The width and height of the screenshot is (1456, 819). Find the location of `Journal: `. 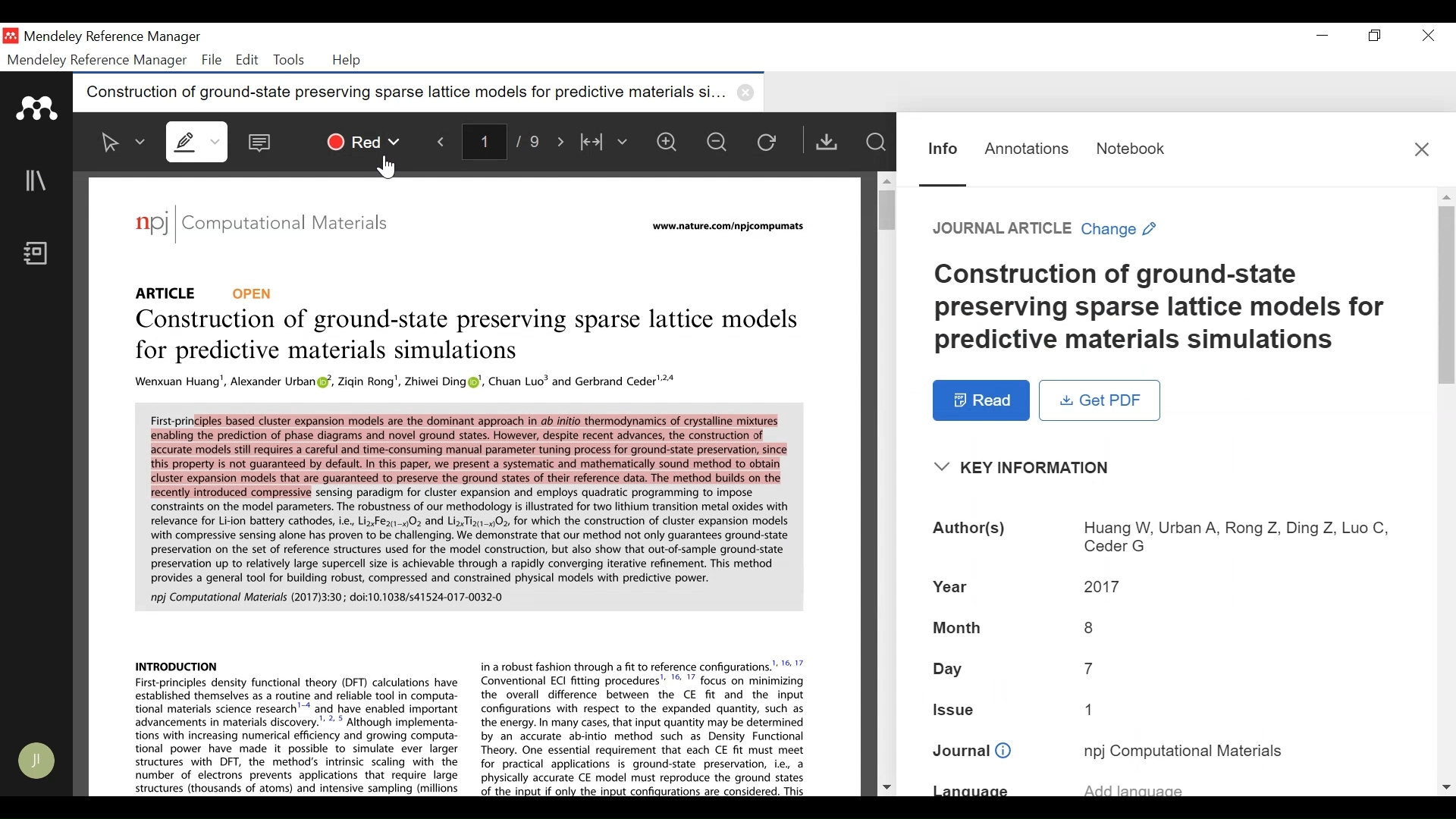

Journal:  is located at coordinates (972, 753).